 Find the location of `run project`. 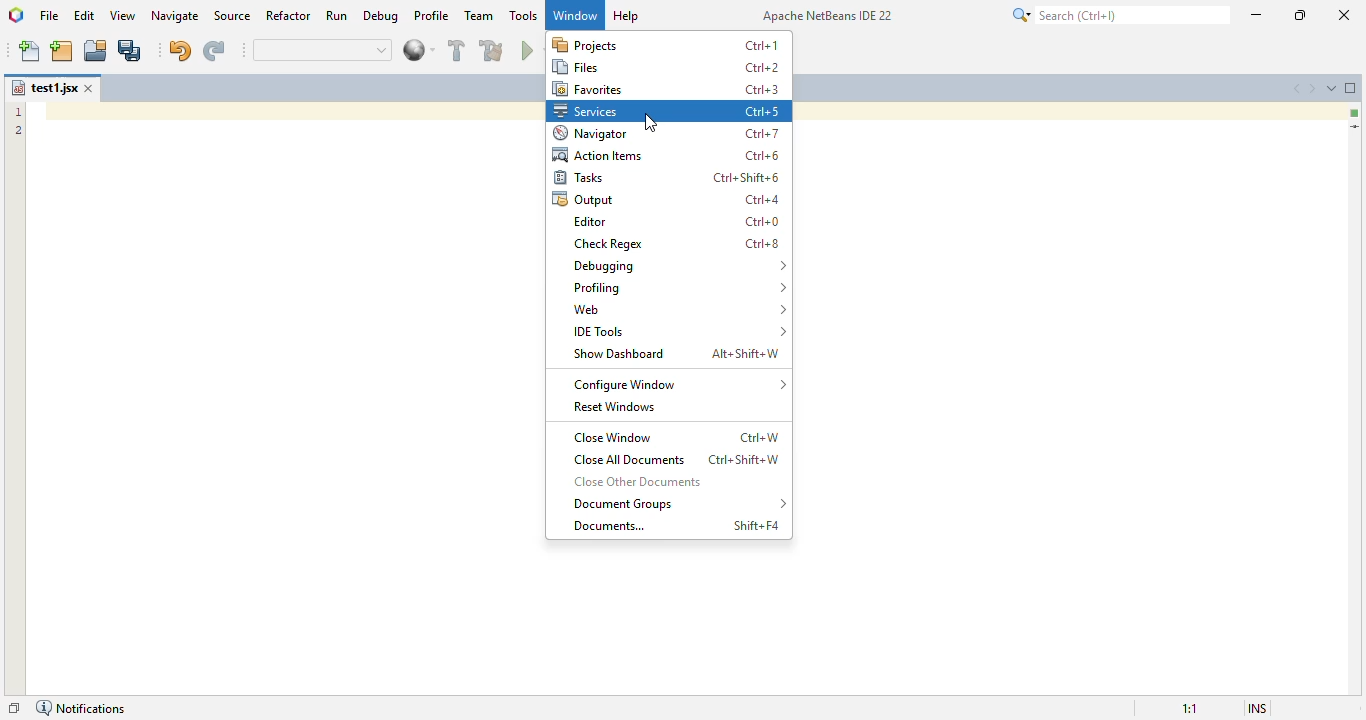

run project is located at coordinates (533, 50).